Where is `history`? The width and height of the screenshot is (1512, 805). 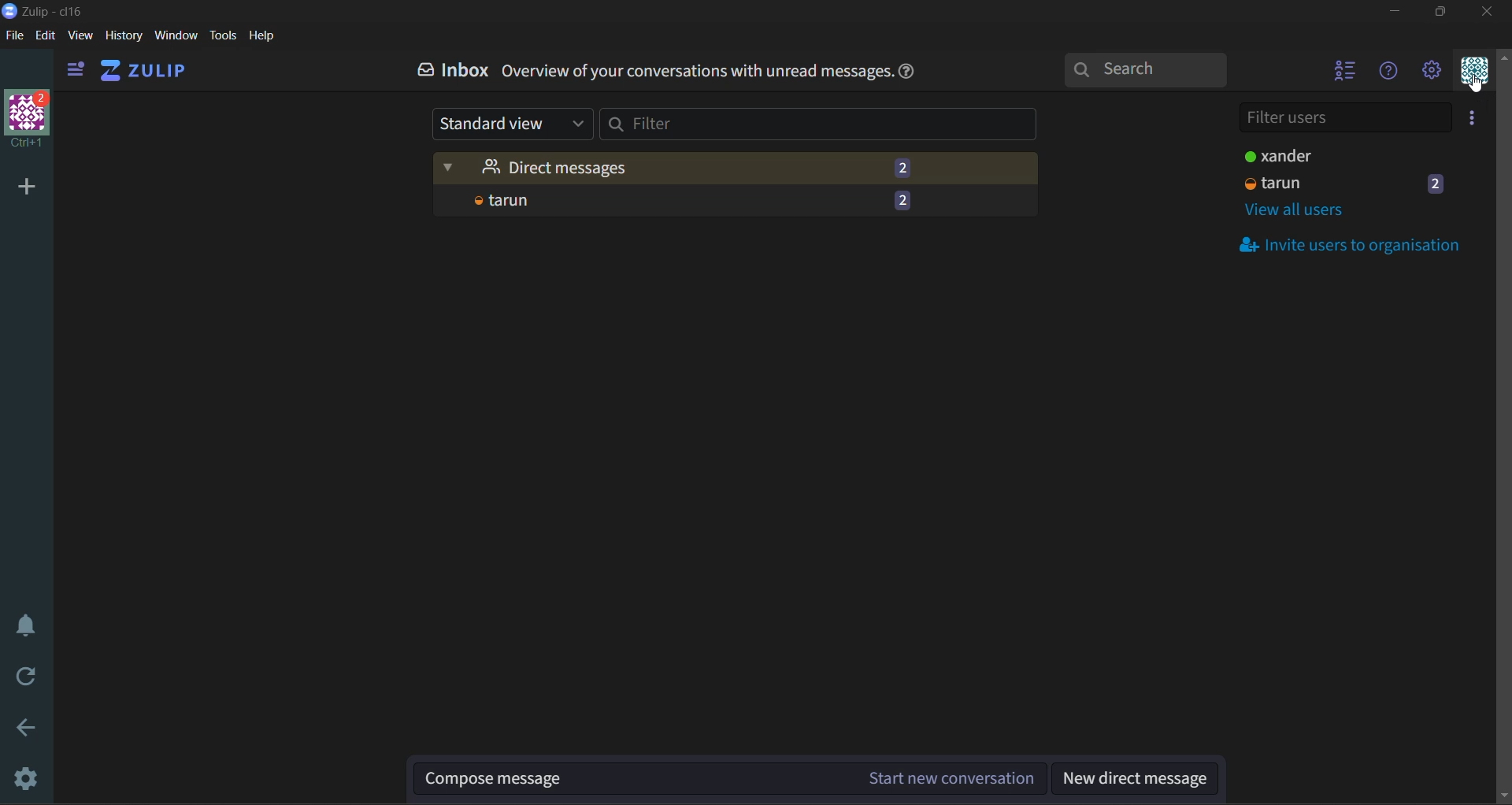 history is located at coordinates (122, 38).